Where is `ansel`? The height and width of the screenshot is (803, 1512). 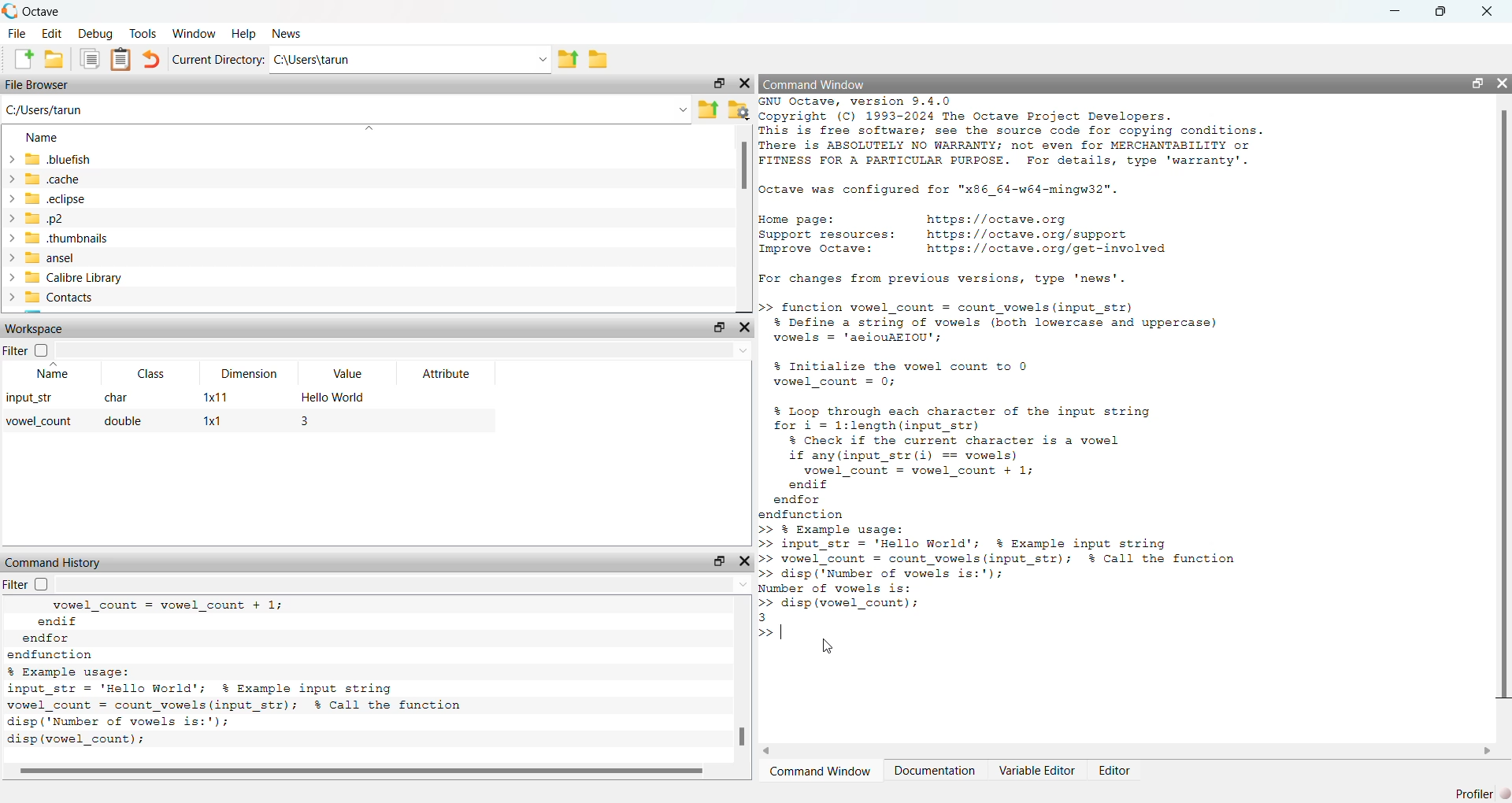 ansel is located at coordinates (52, 257).